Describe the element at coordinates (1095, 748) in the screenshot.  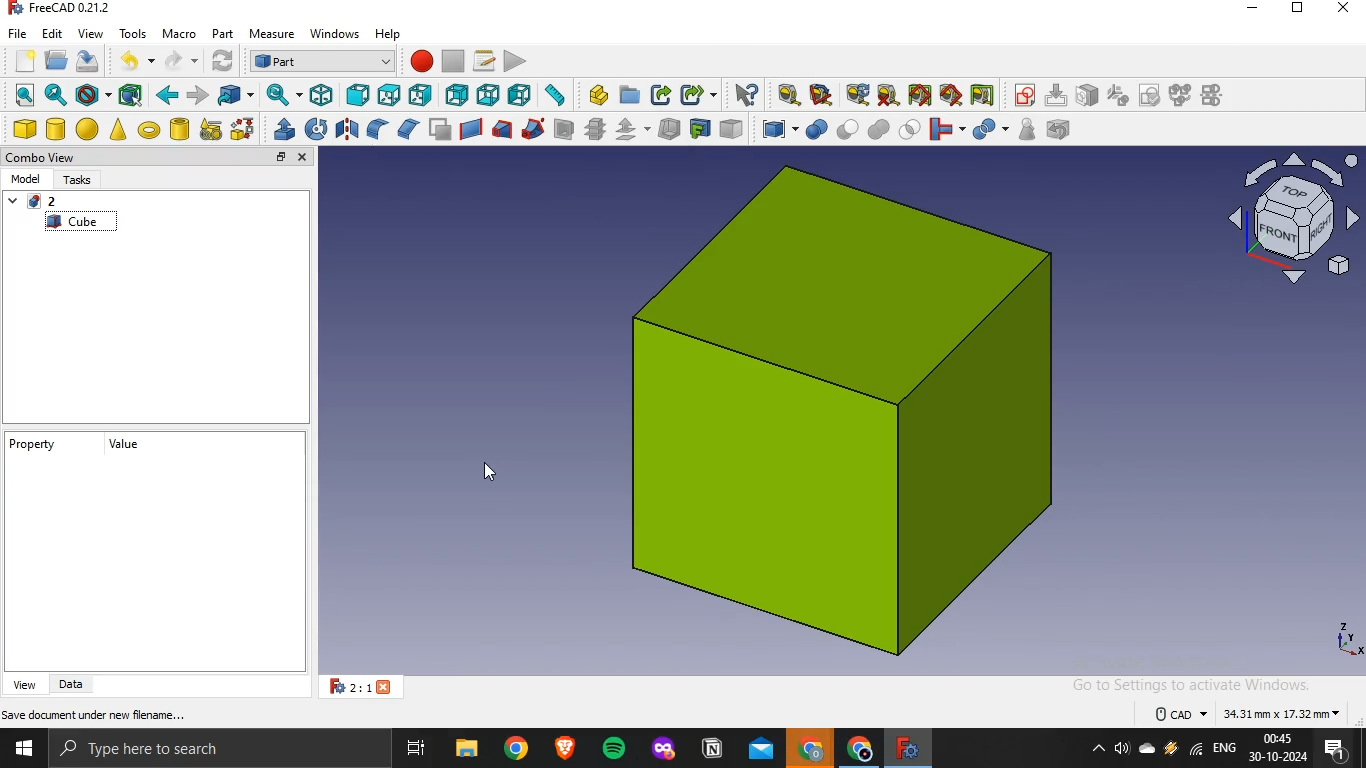
I see `show hidden icons ` at that location.